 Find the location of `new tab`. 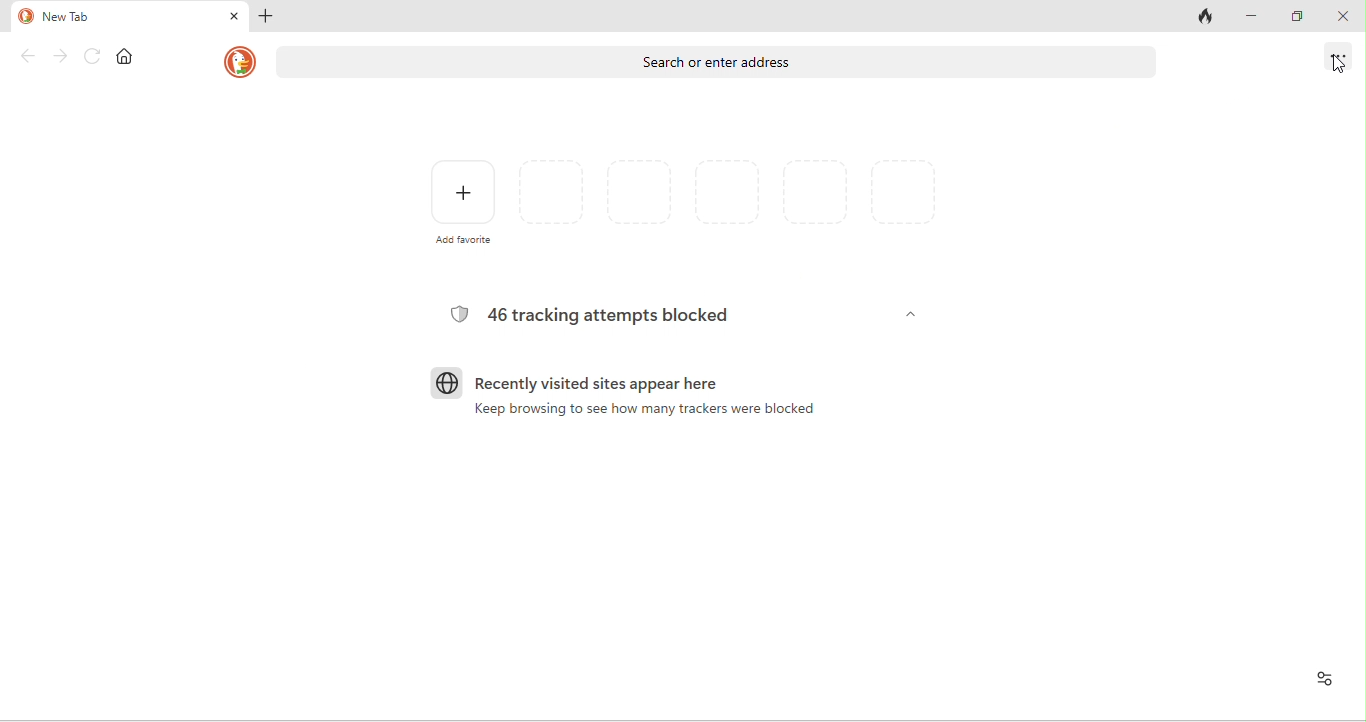

new tab is located at coordinates (129, 22).